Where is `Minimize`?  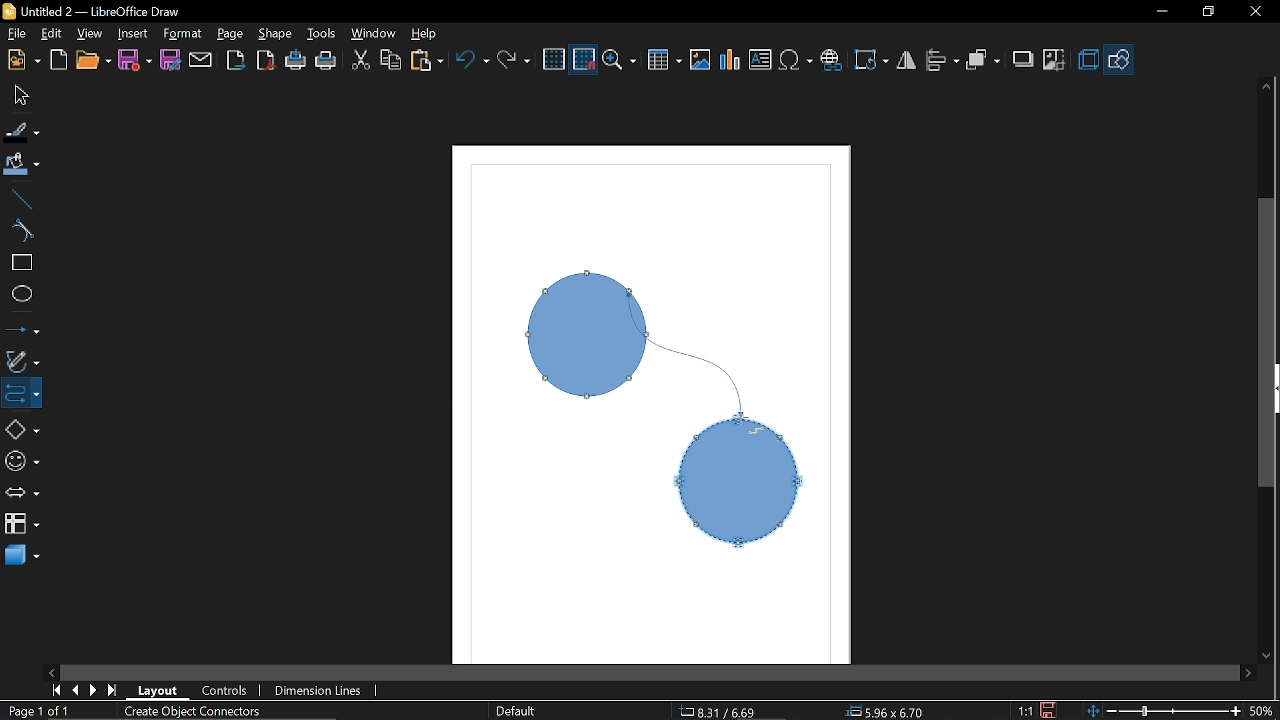
Minimize is located at coordinates (1157, 15).